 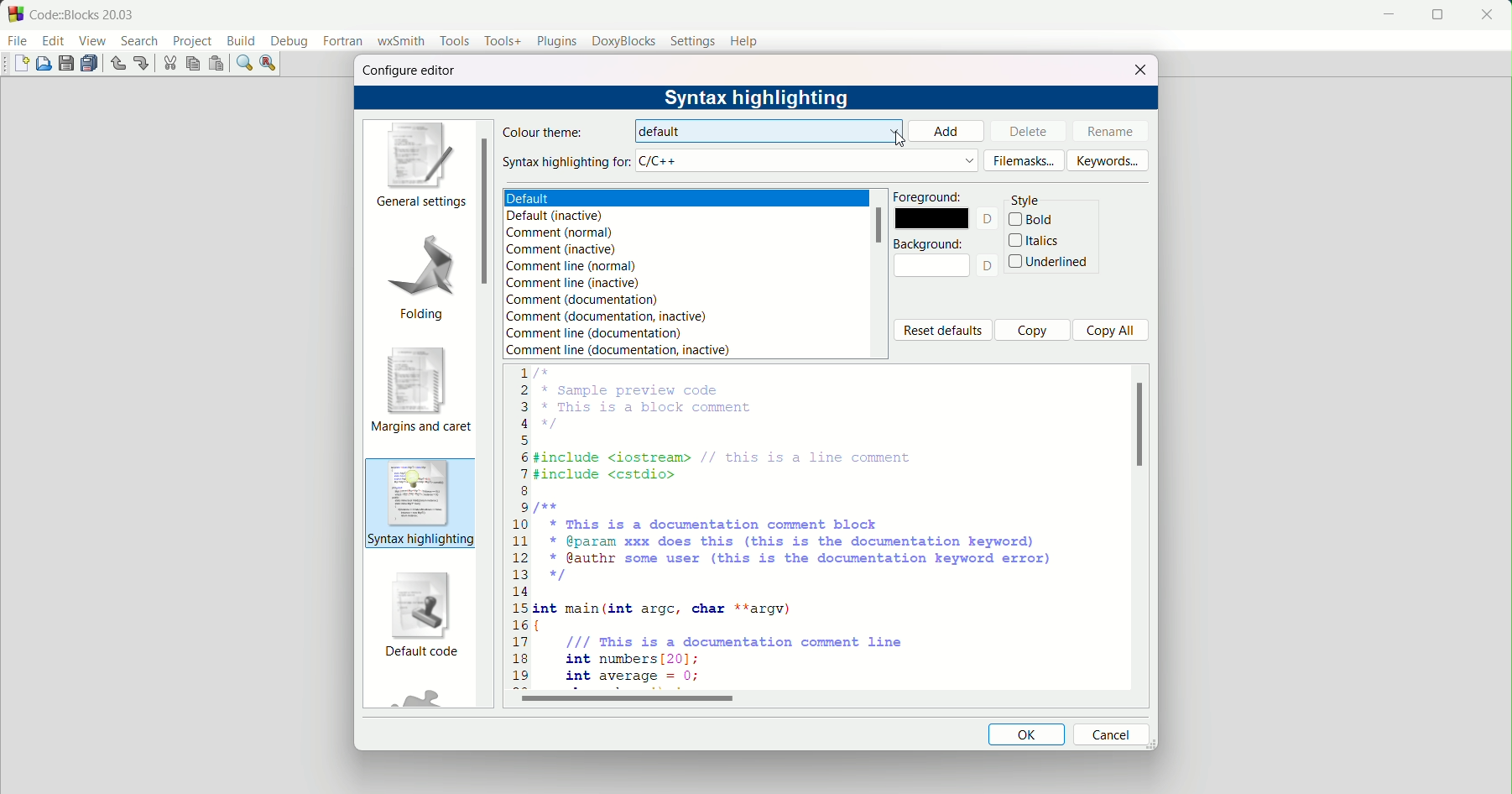 I want to click on colour theme, so click(x=545, y=131).